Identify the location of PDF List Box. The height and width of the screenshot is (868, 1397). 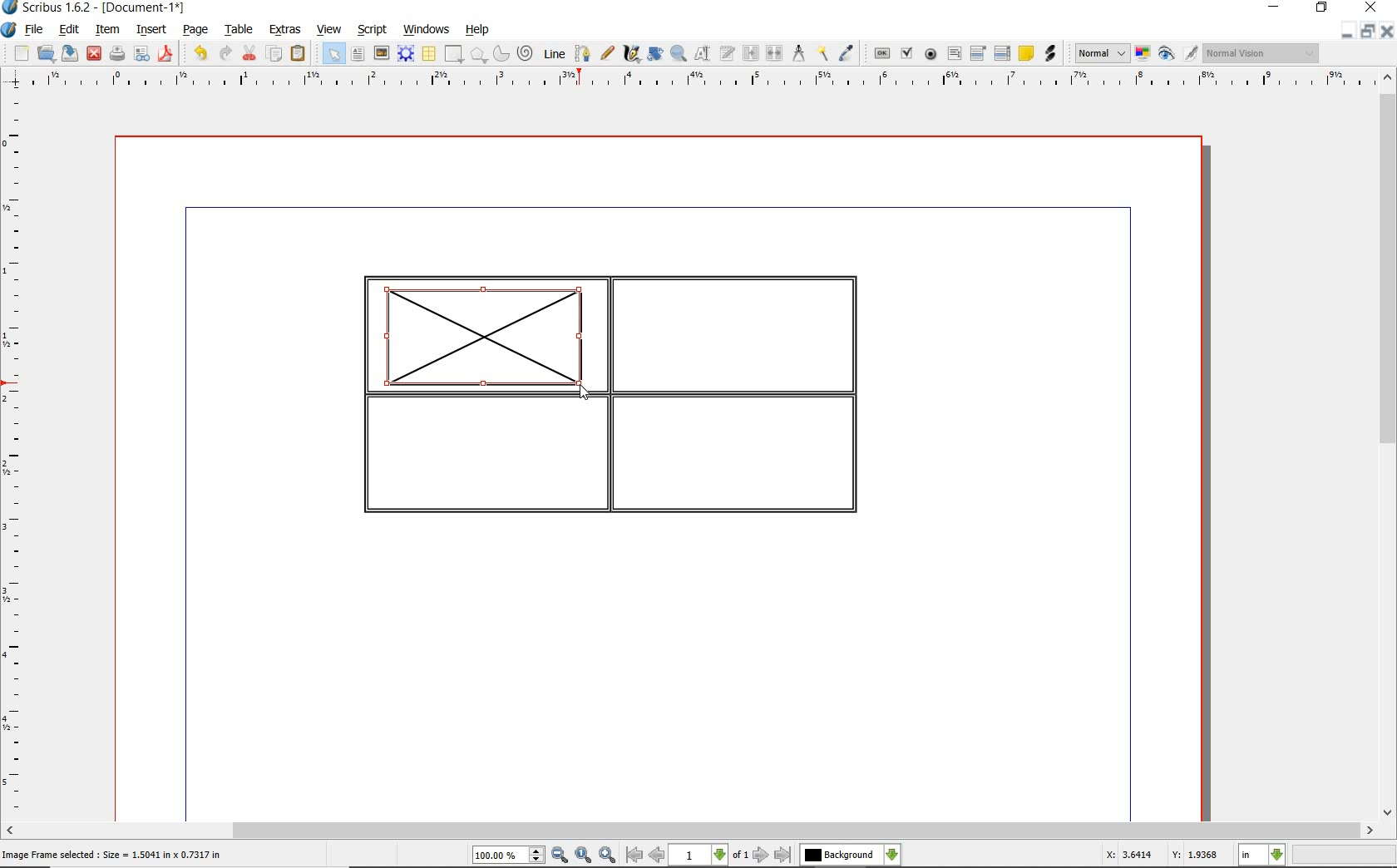
(1002, 53).